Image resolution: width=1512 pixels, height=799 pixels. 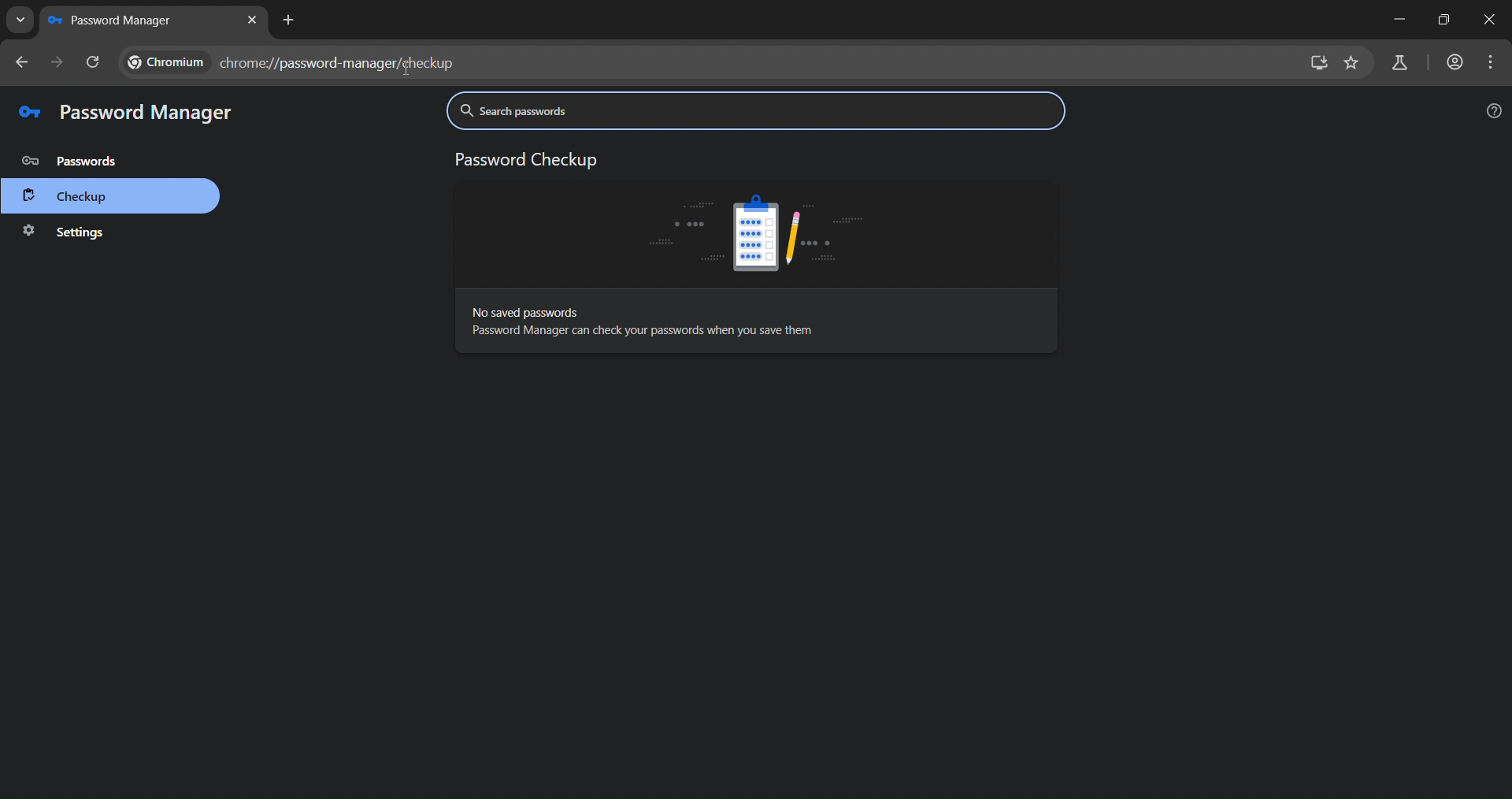 I want to click on settings, so click(x=64, y=232).